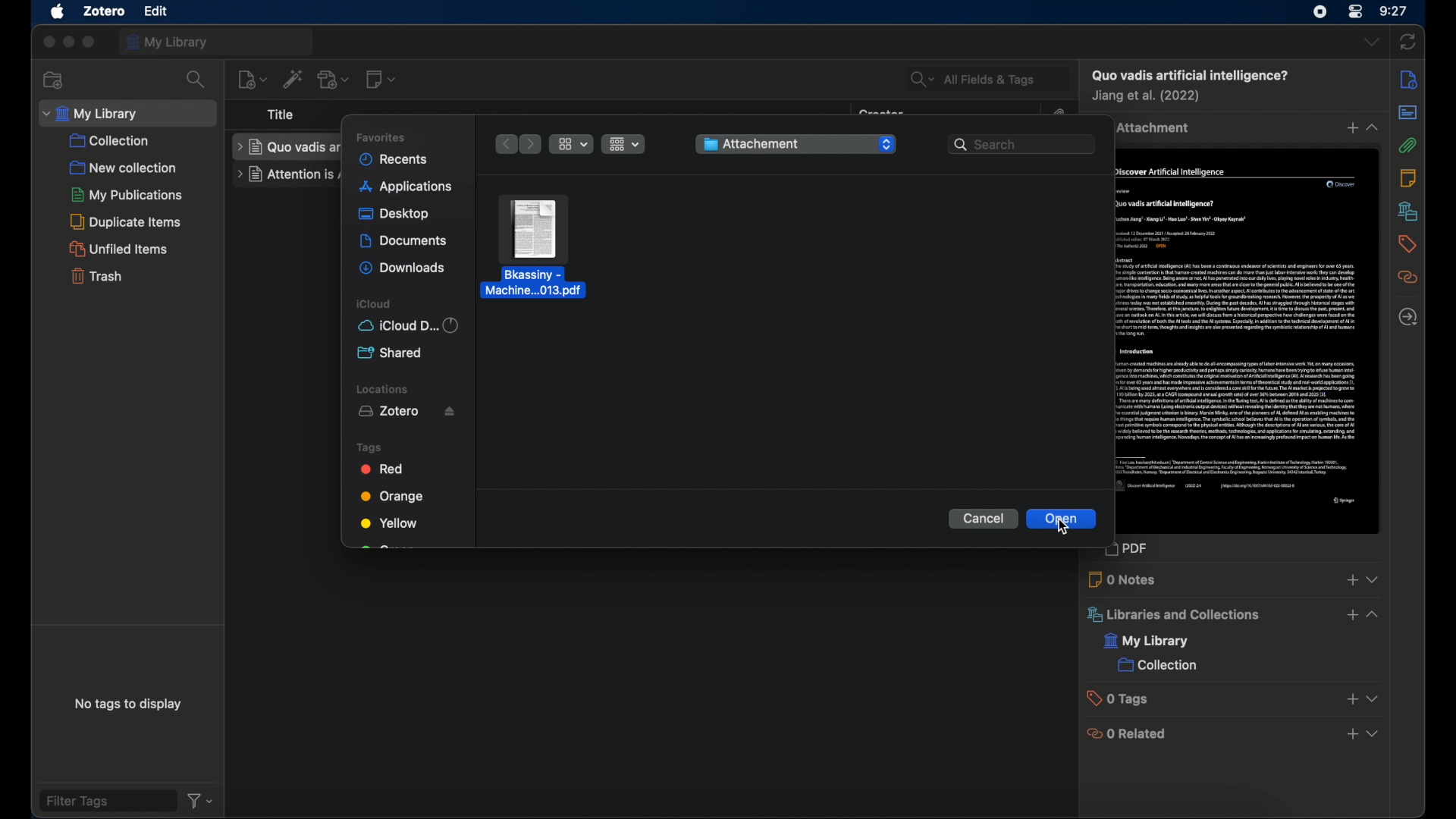  Describe the element at coordinates (1124, 579) in the screenshot. I see `0 notes` at that location.